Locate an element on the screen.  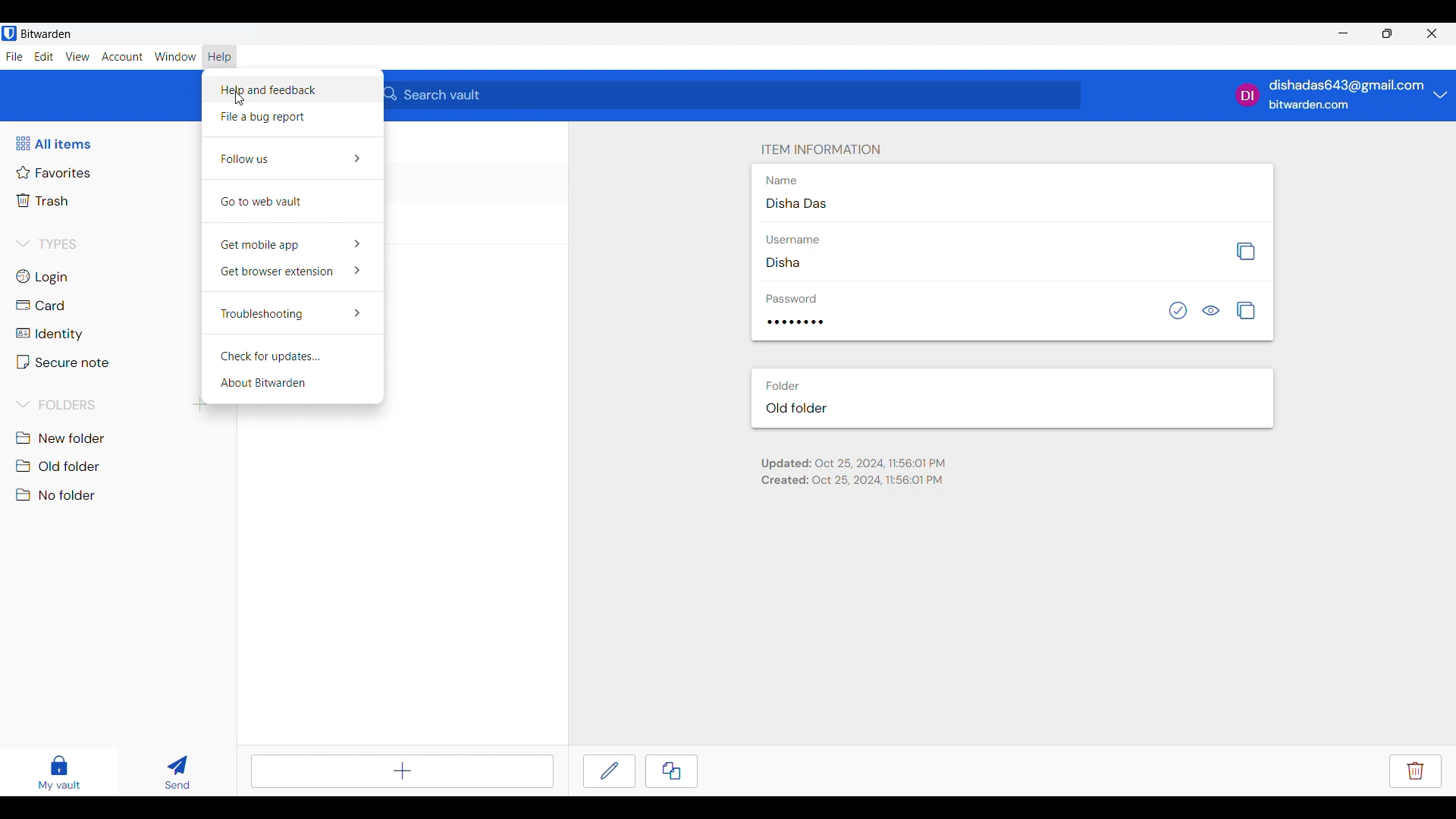
Old folder is located at coordinates (61, 466).